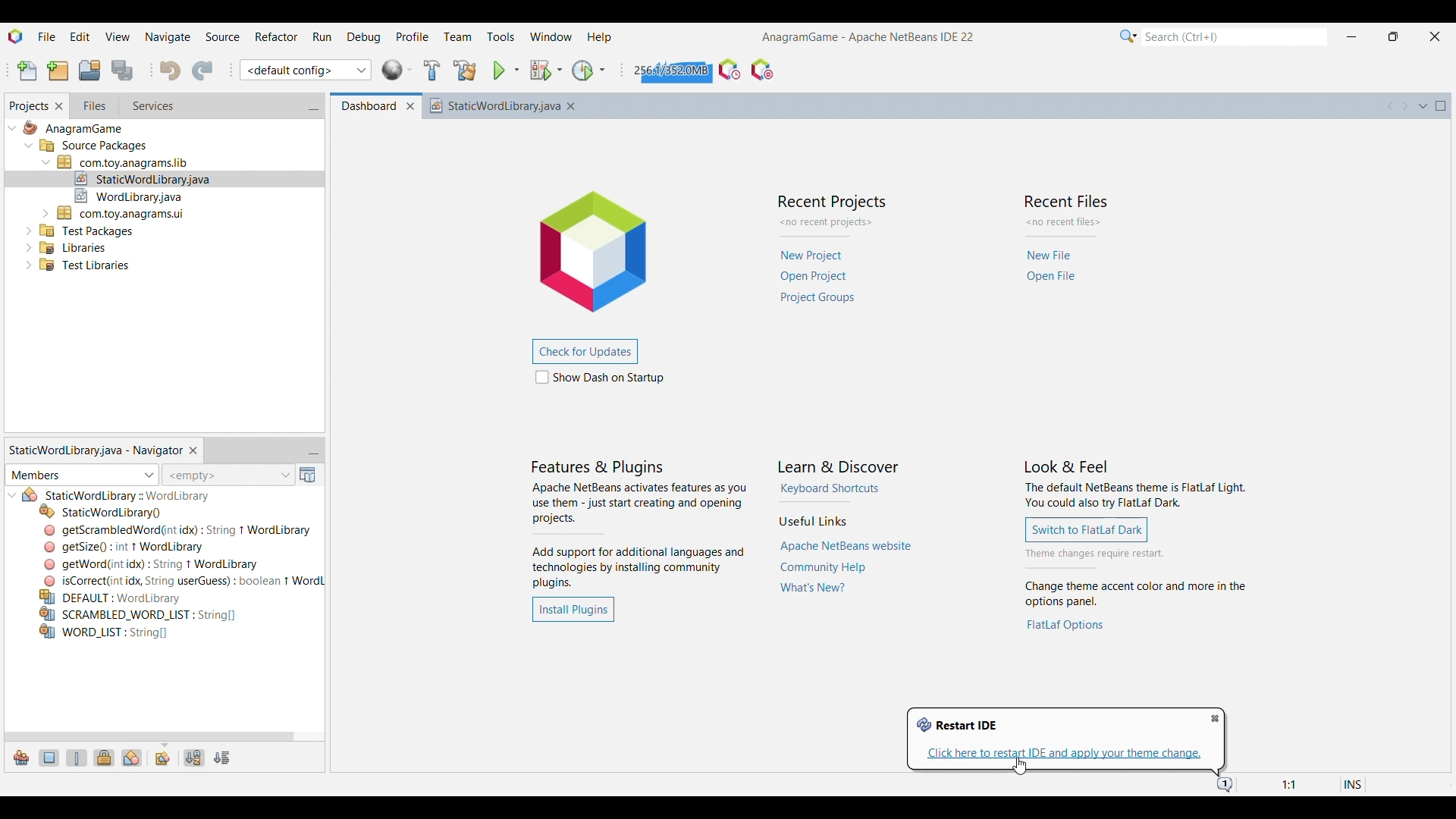 The width and height of the screenshot is (1456, 819). Describe the element at coordinates (152, 106) in the screenshot. I see `Go to services` at that location.